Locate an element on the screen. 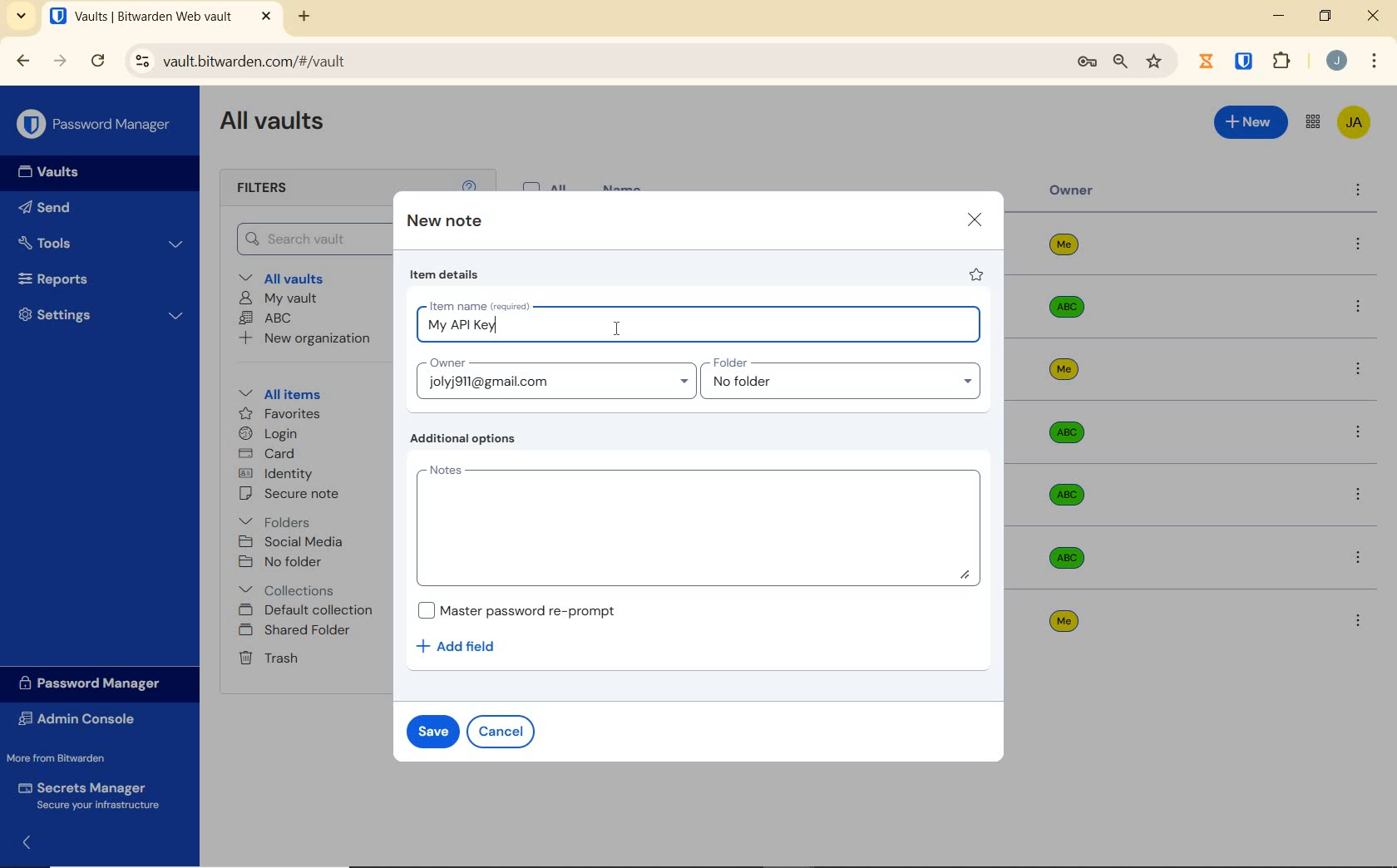  card is located at coordinates (269, 454).